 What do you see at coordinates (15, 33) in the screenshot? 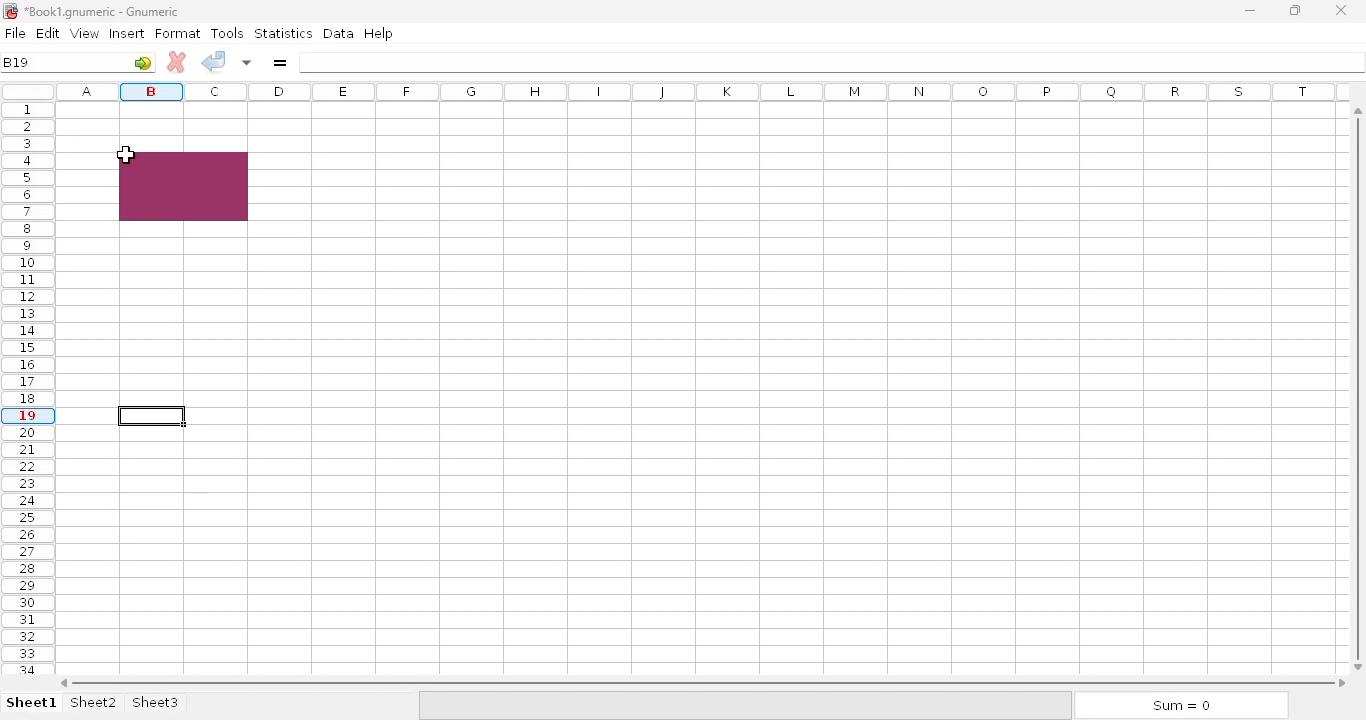
I see `file` at bounding box center [15, 33].